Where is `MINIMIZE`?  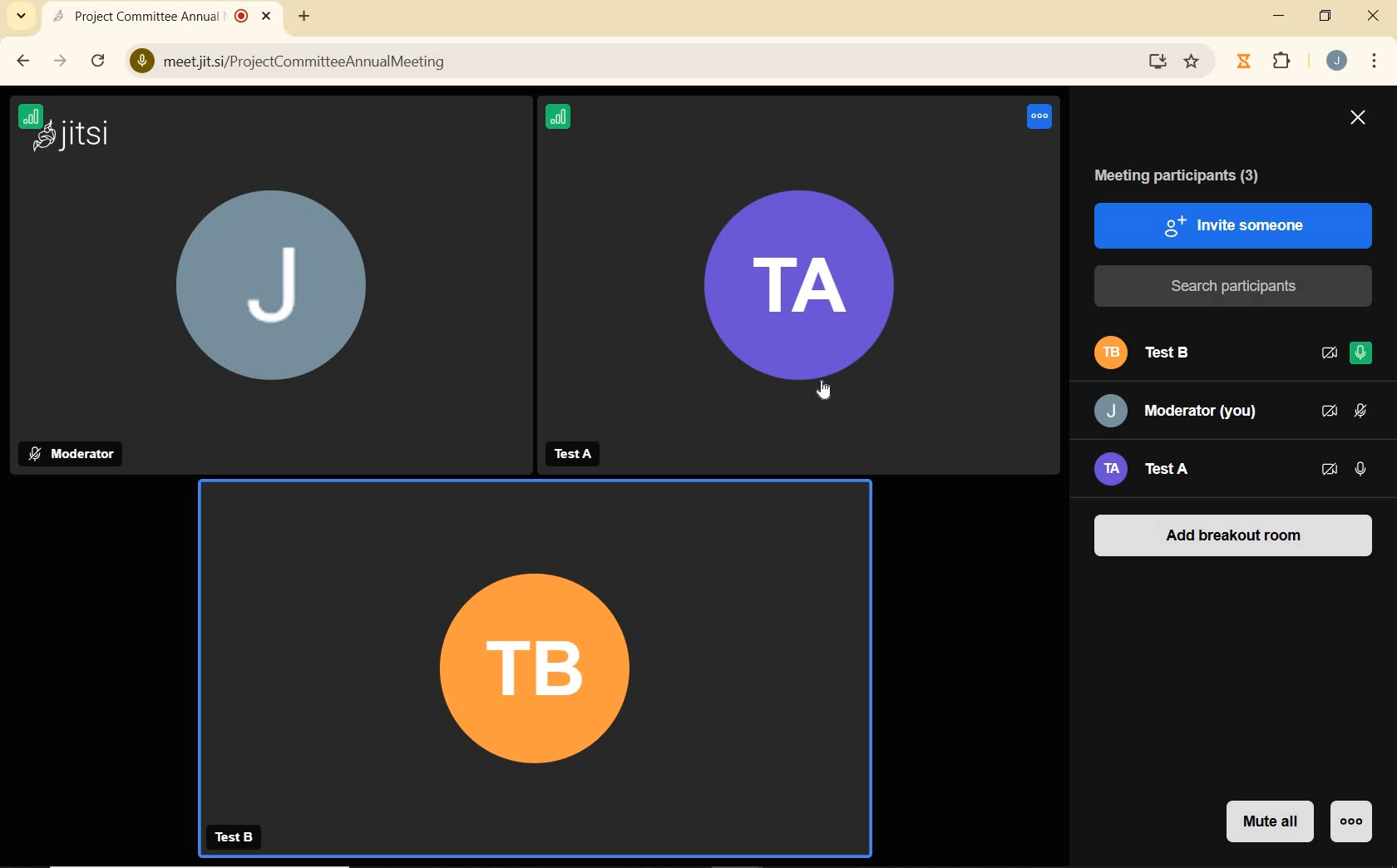 MINIMIZE is located at coordinates (1279, 17).